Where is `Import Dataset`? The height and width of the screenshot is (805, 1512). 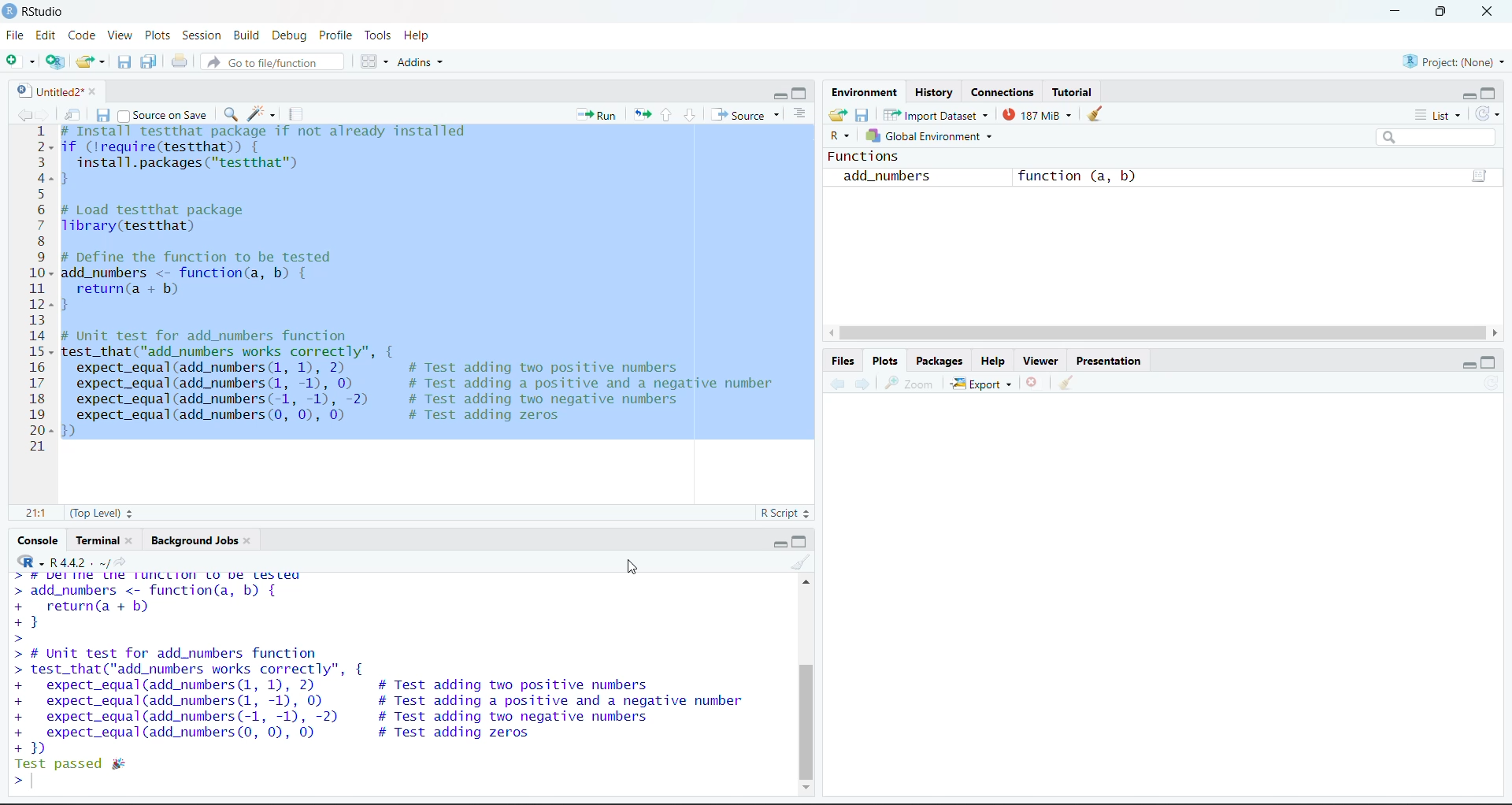 Import Dataset is located at coordinates (936, 115).